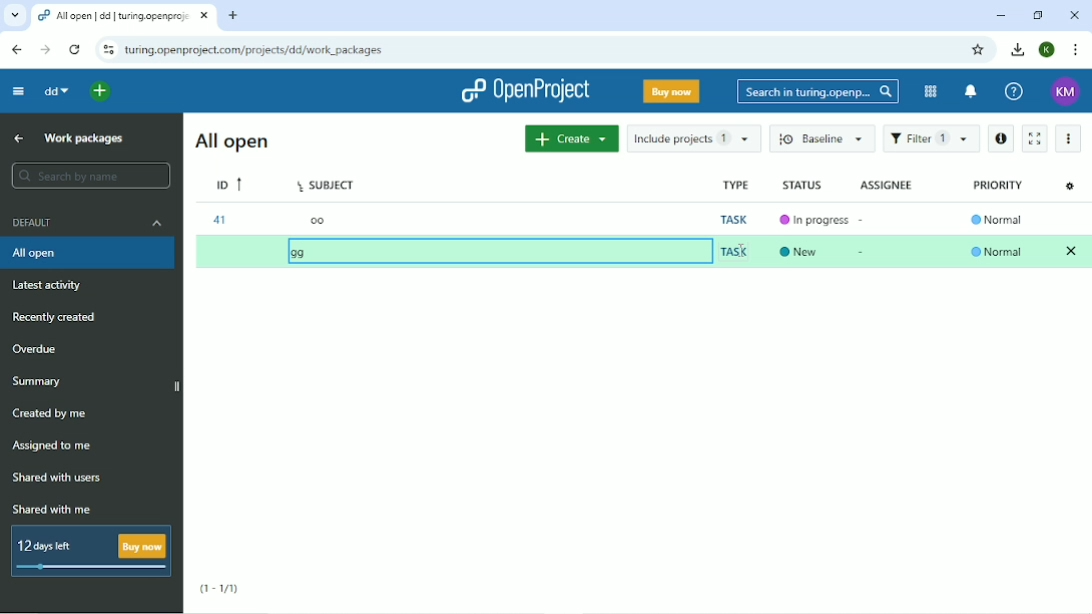  What do you see at coordinates (1035, 15) in the screenshot?
I see `Restore down` at bounding box center [1035, 15].